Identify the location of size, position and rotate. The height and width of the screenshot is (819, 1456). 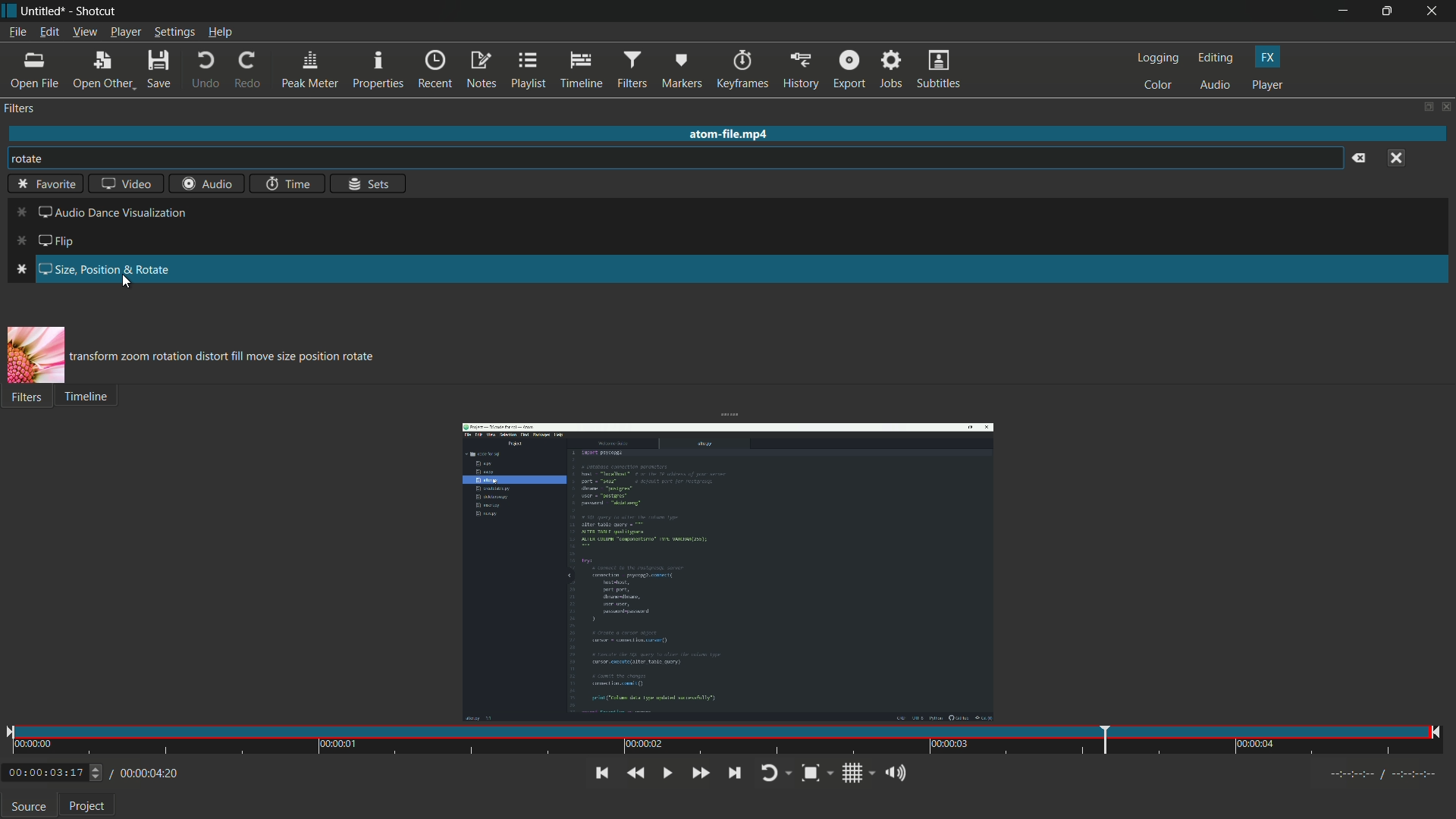
(89, 269).